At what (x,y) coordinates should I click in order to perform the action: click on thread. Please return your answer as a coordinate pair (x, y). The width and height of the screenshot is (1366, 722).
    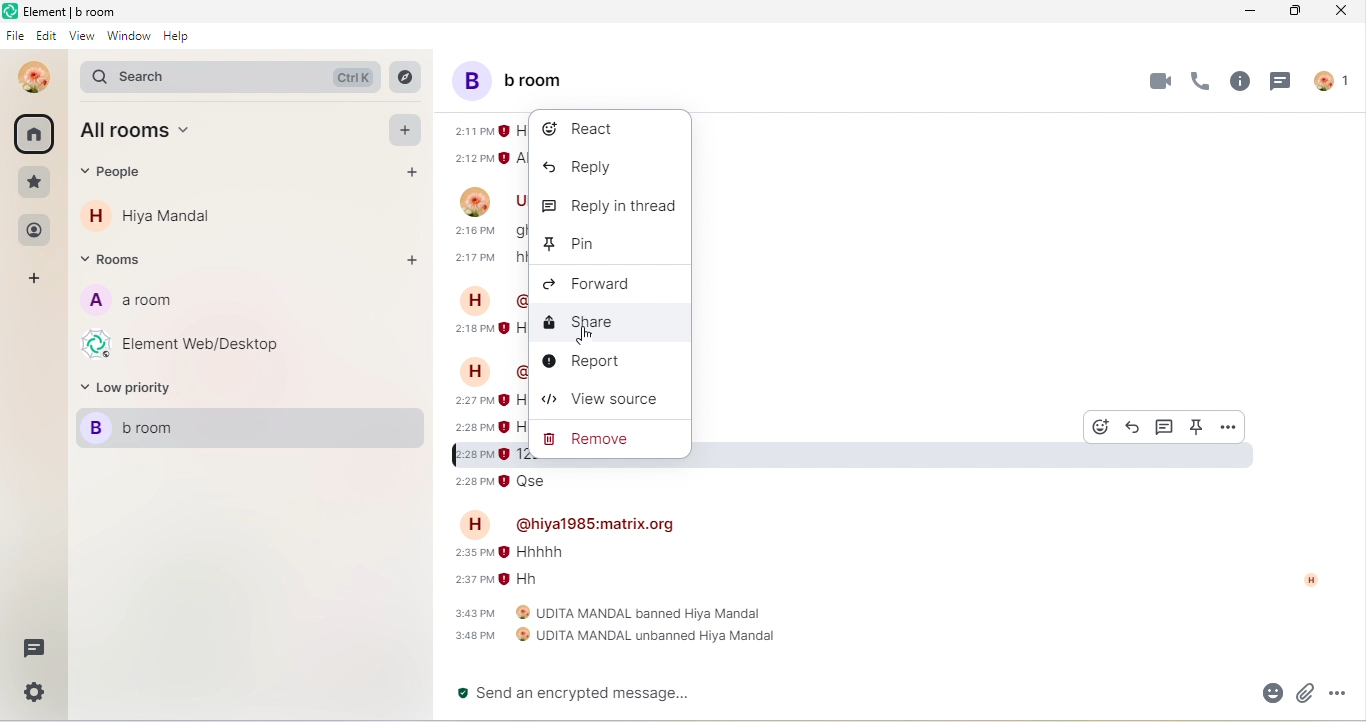
    Looking at the image, I should click on (1285, 85).